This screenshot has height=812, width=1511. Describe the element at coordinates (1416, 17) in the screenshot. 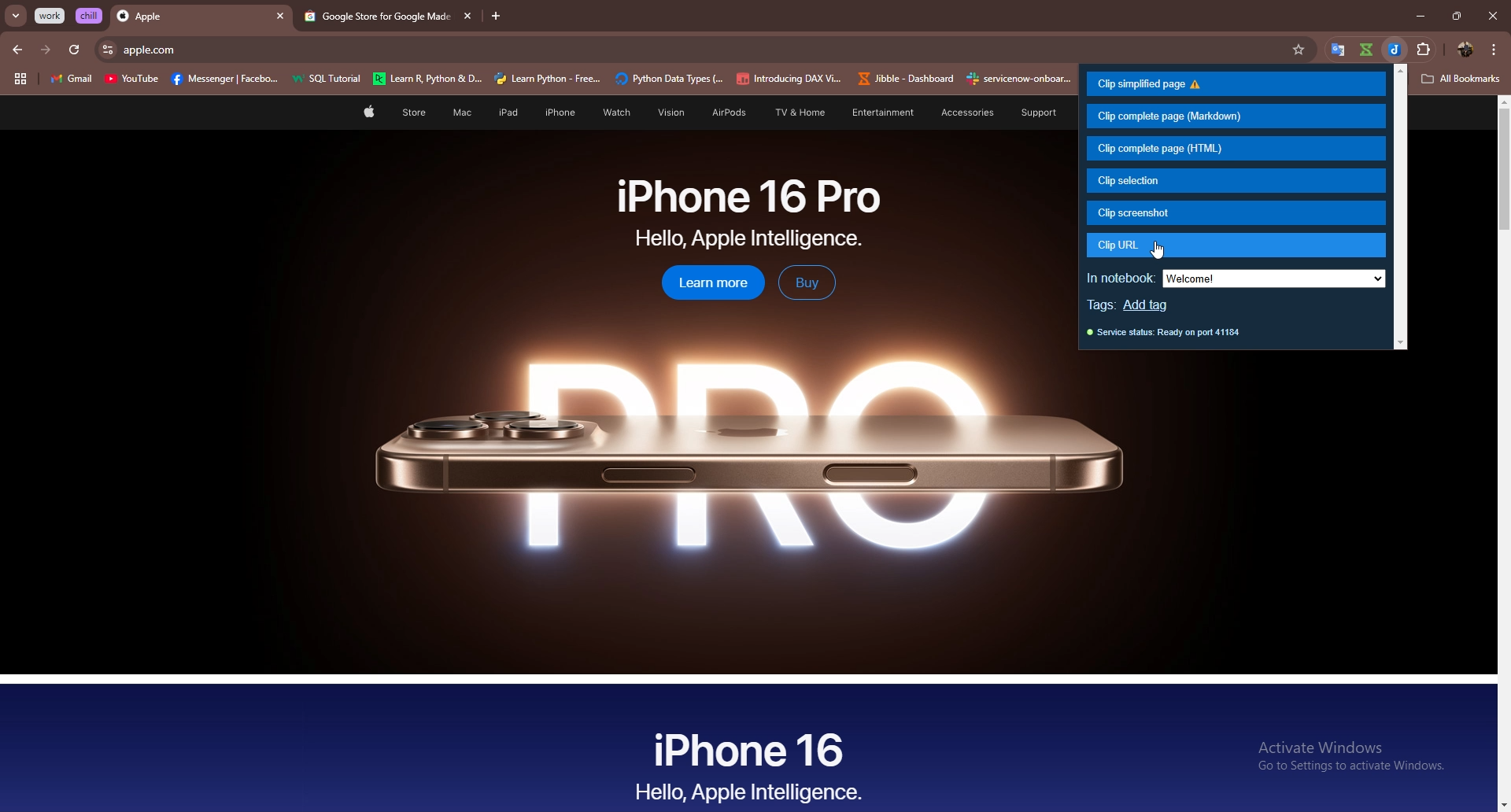

I see `minimize` at that location.